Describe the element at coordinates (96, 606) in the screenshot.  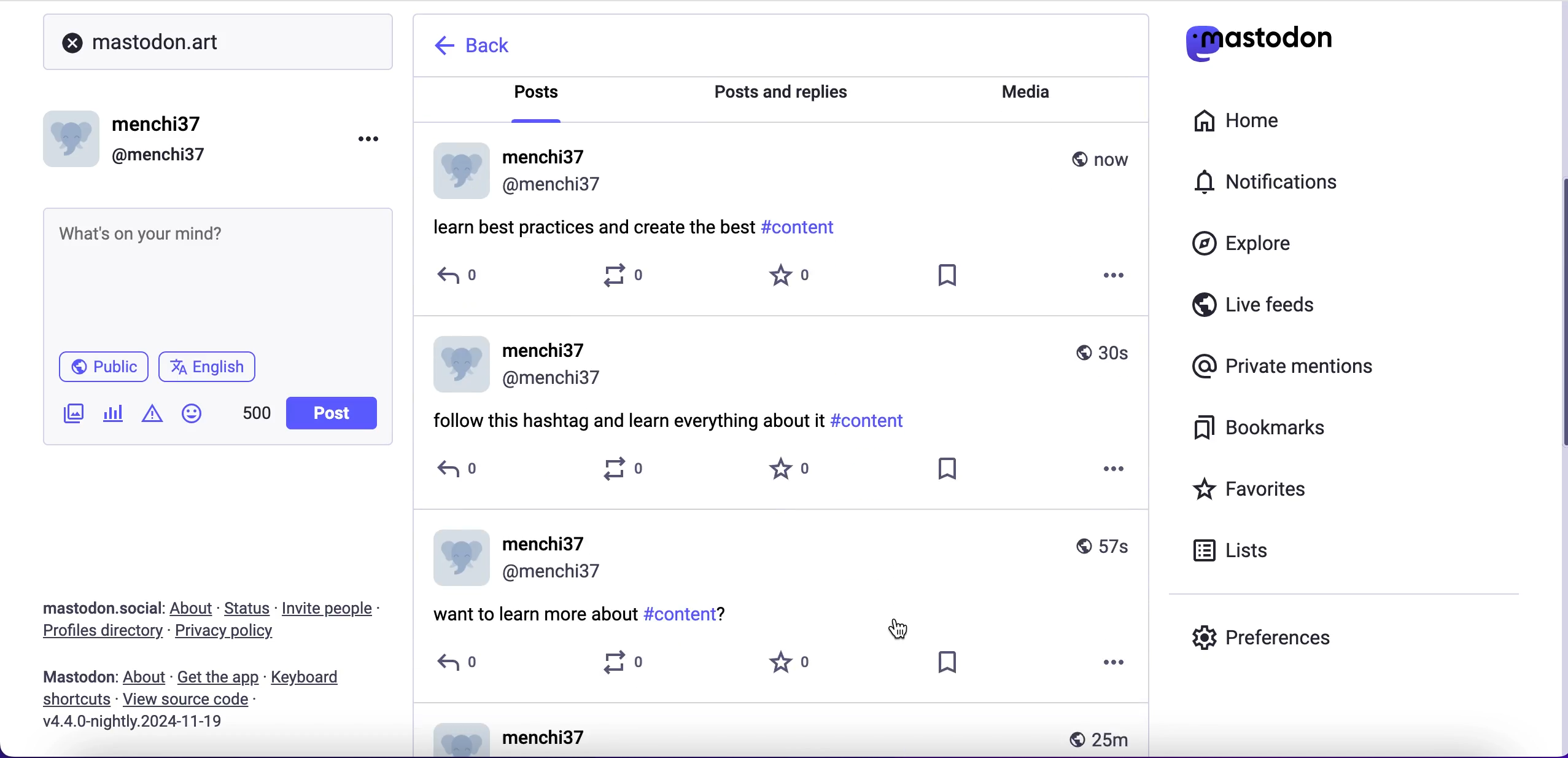
I see `mastodon.social` at that location.